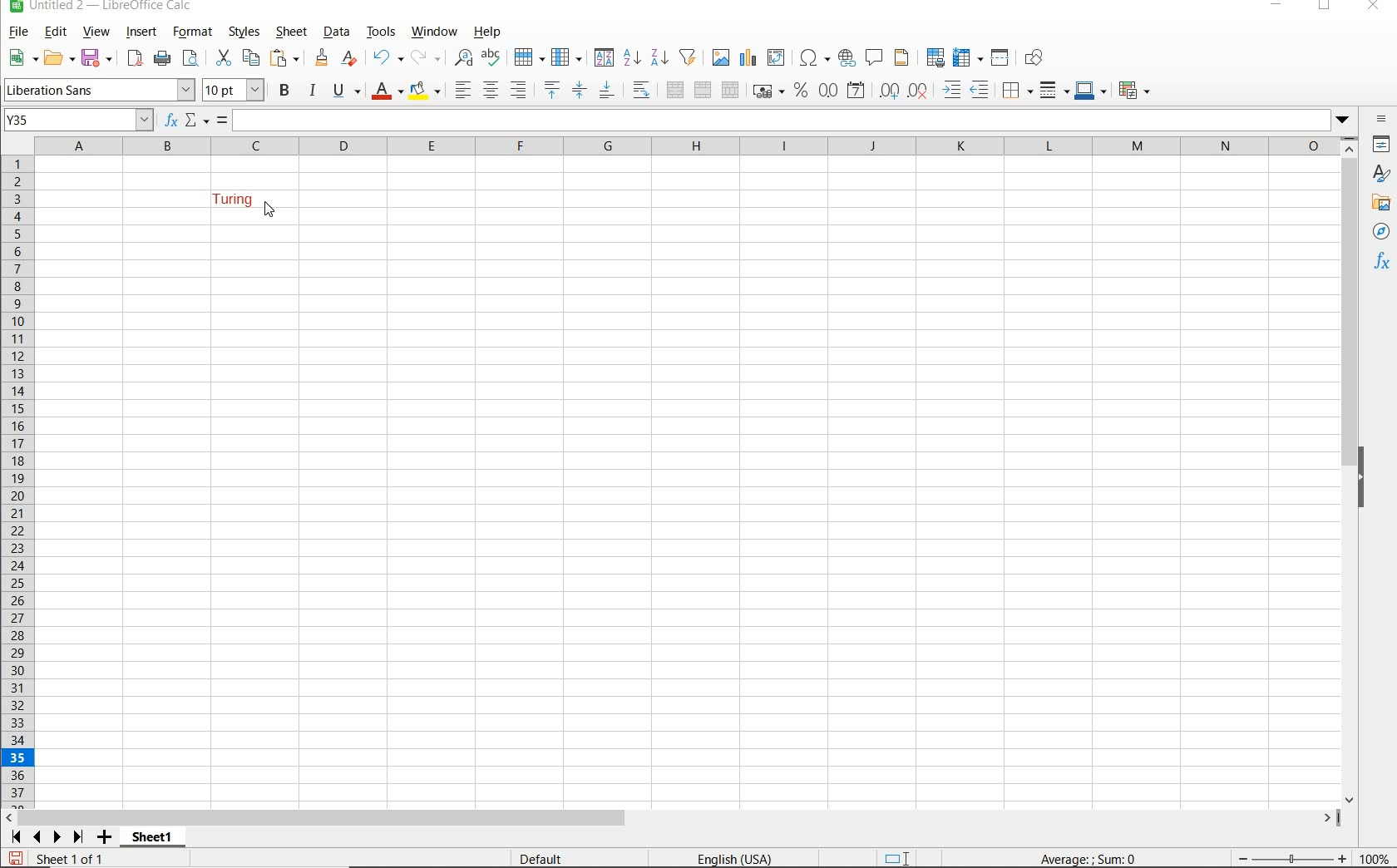 The width and height of the screenshot is (1397, 868). What do you see at coordinates (603, 57) in the screenshot?
I see `SORT` at bounding box center [603, 57].